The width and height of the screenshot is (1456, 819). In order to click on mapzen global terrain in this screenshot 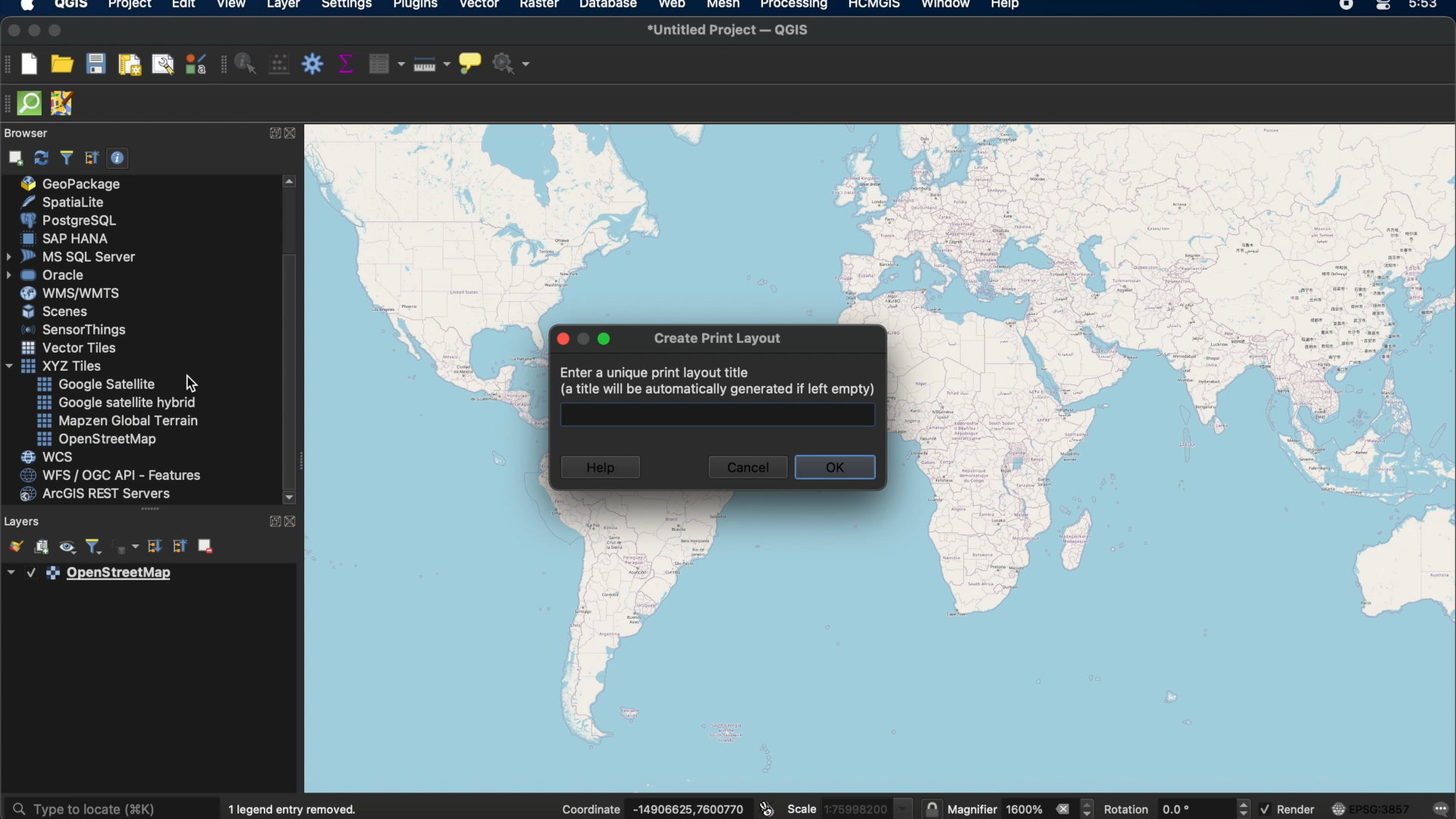, I will do `click(119, 421)`.